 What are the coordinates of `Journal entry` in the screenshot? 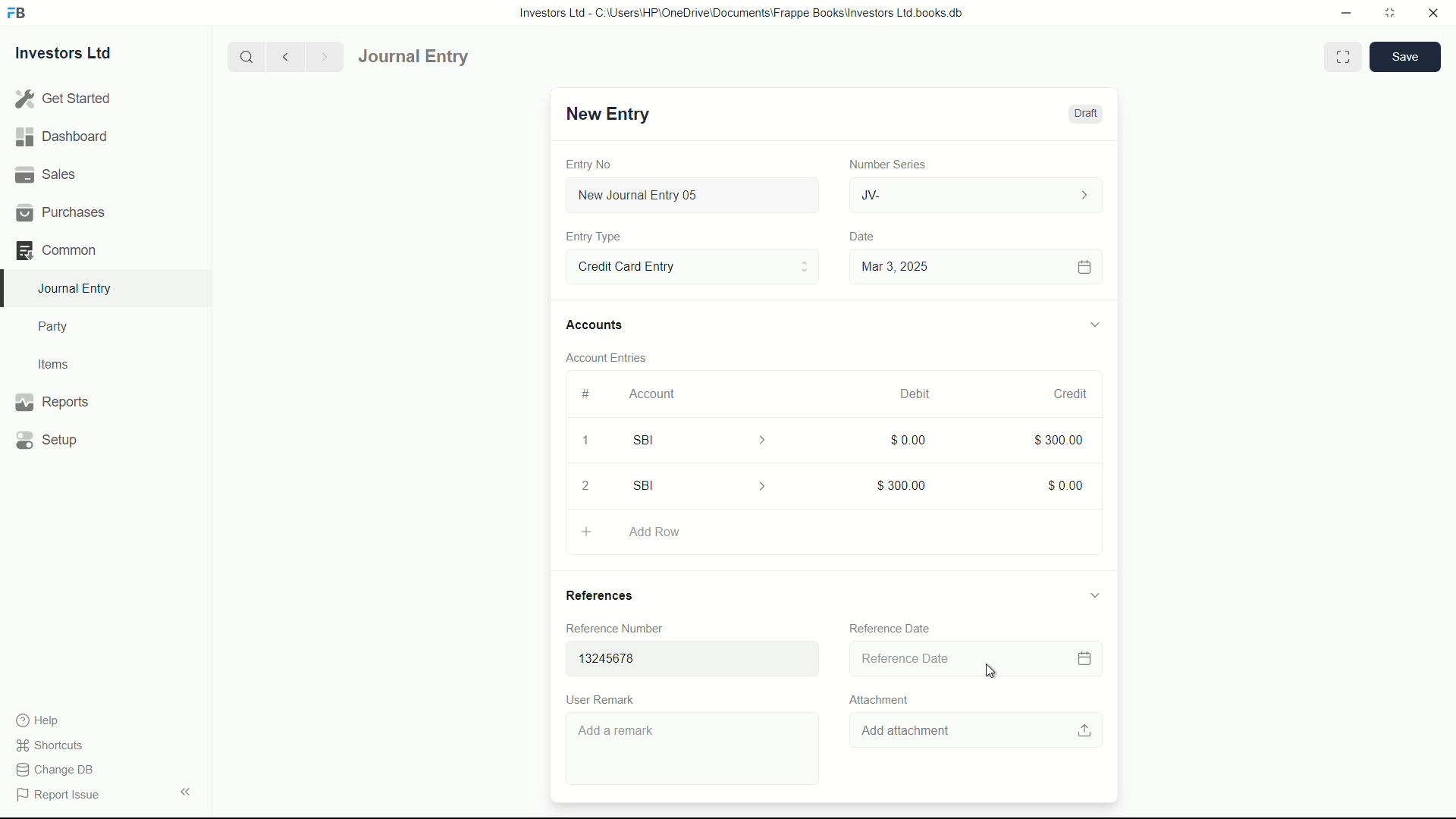 It's located at (457, 57).